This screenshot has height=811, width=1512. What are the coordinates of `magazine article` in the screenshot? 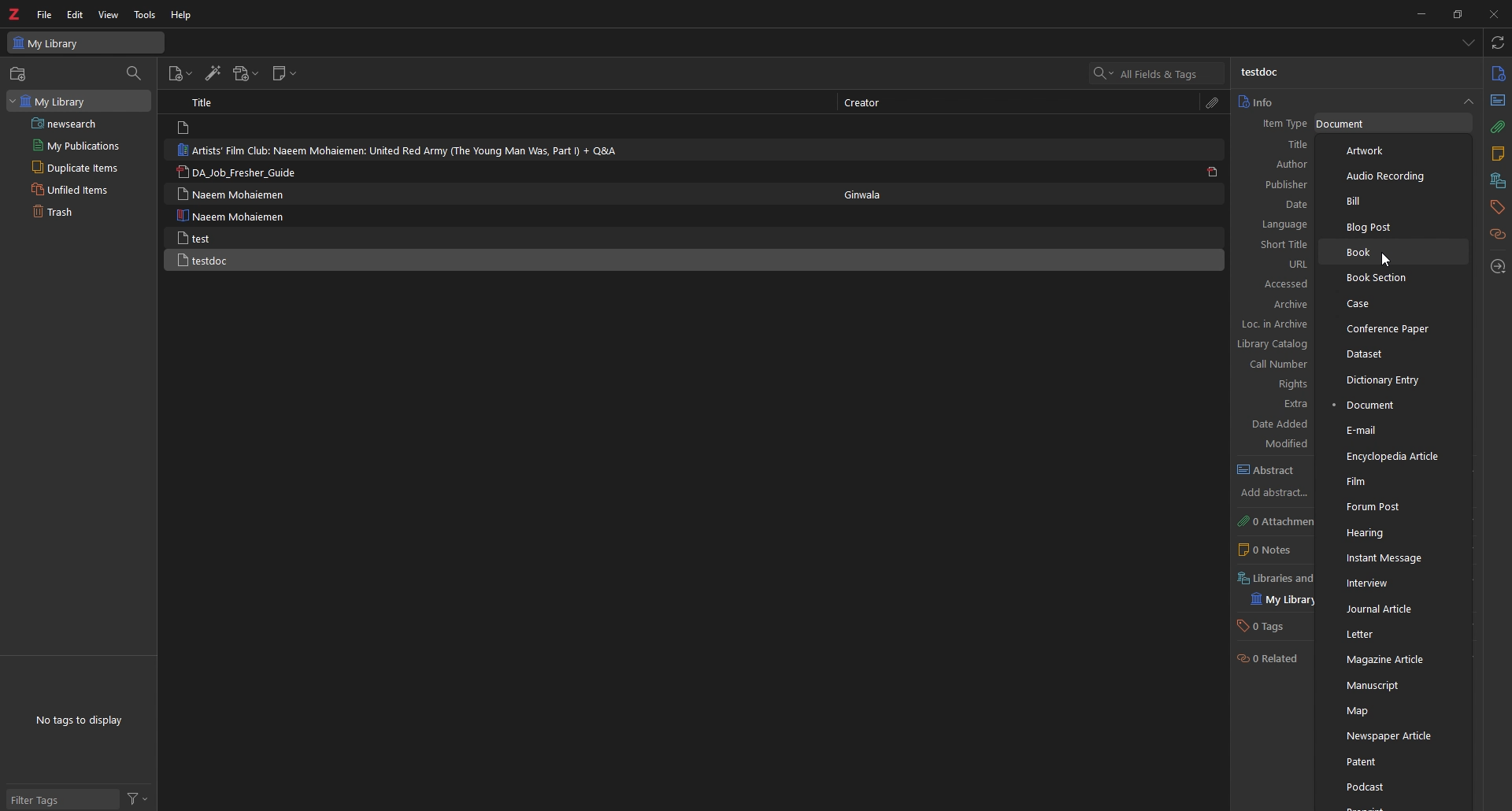 It's located at (1393, 660).